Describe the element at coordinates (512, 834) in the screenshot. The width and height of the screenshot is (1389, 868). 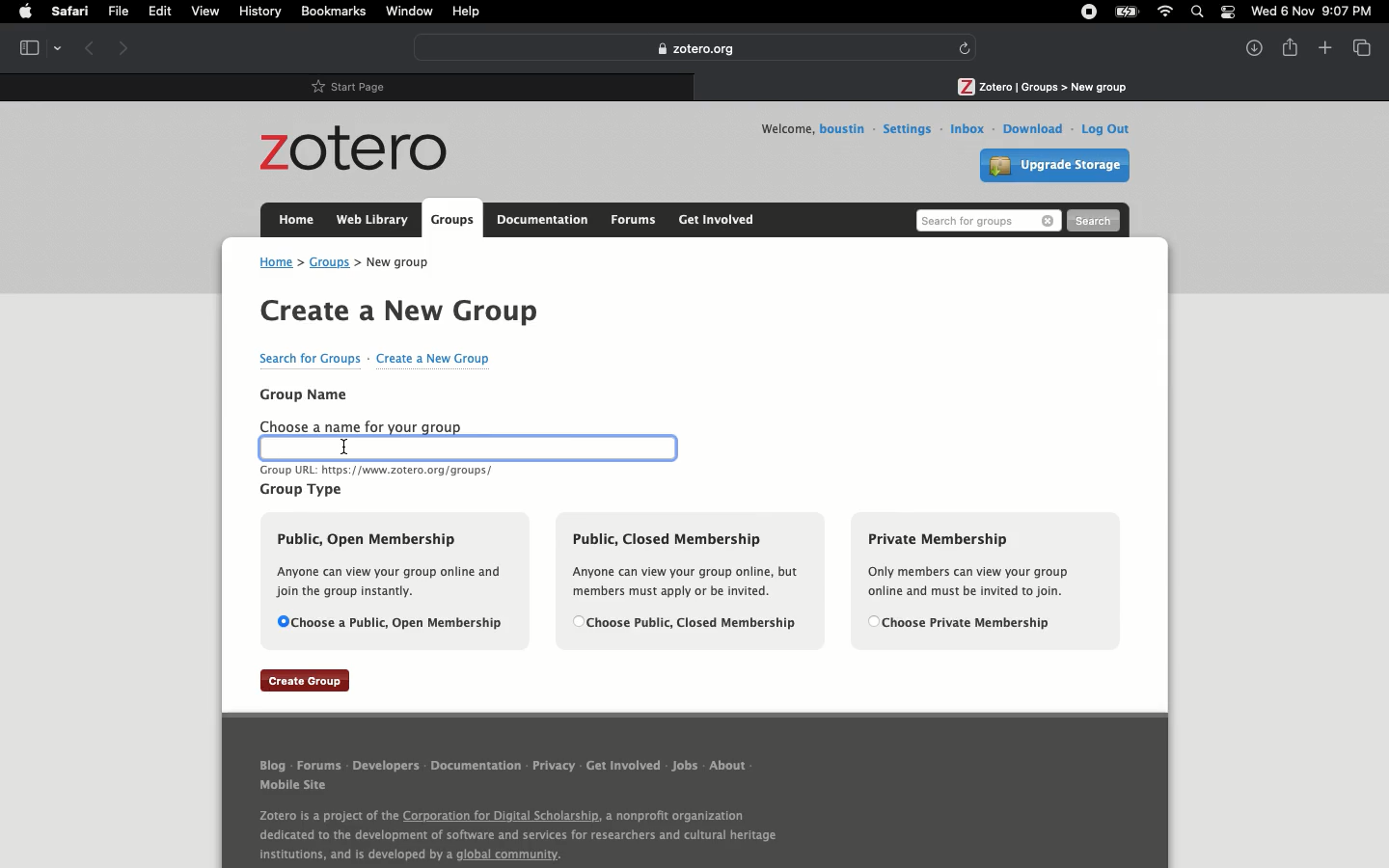
I see `About Zotero` at that location.